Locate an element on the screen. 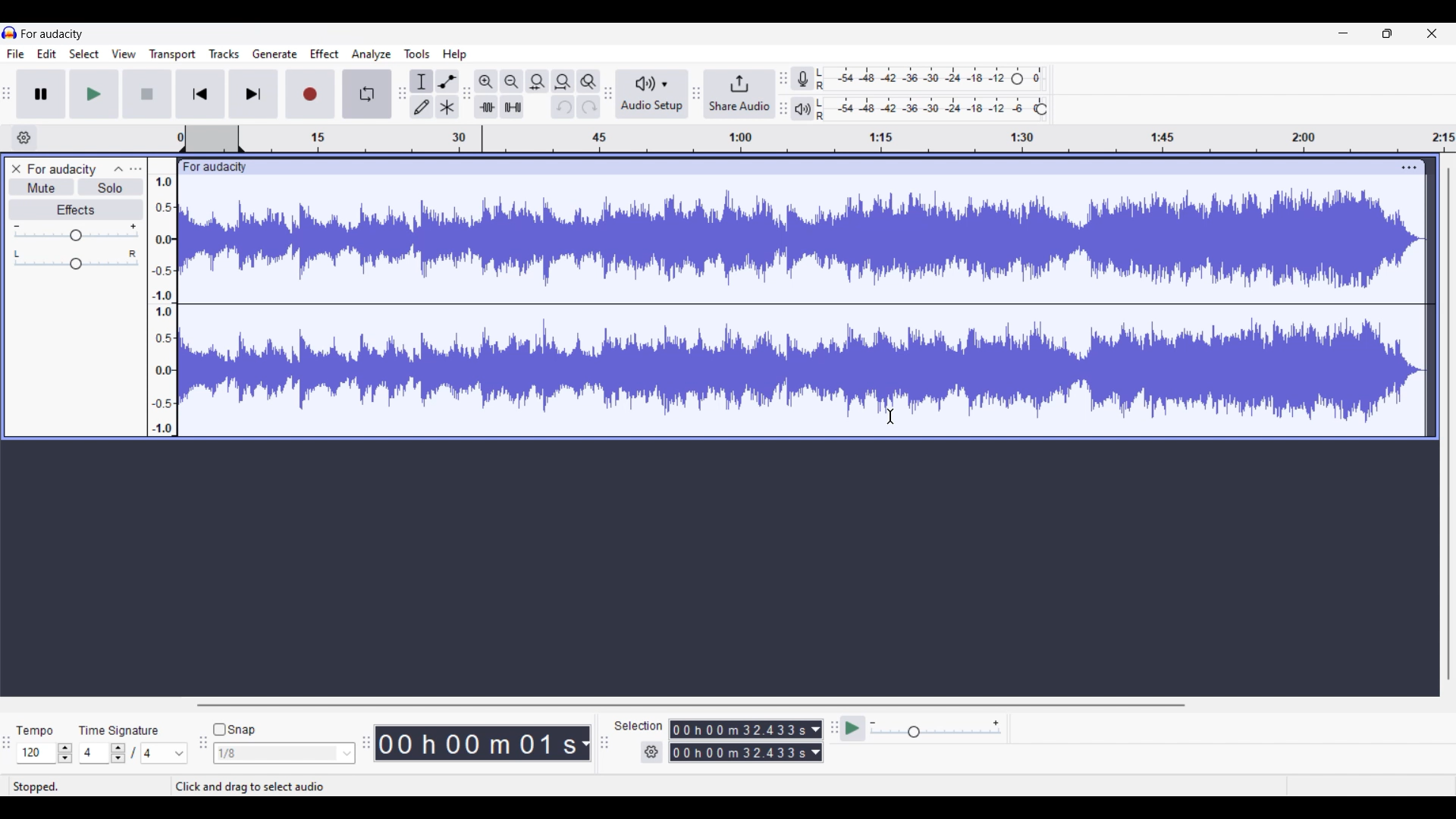 This screenshot has width=1456, height=819. Header to change playback level is located at coordinates (1042, 109).